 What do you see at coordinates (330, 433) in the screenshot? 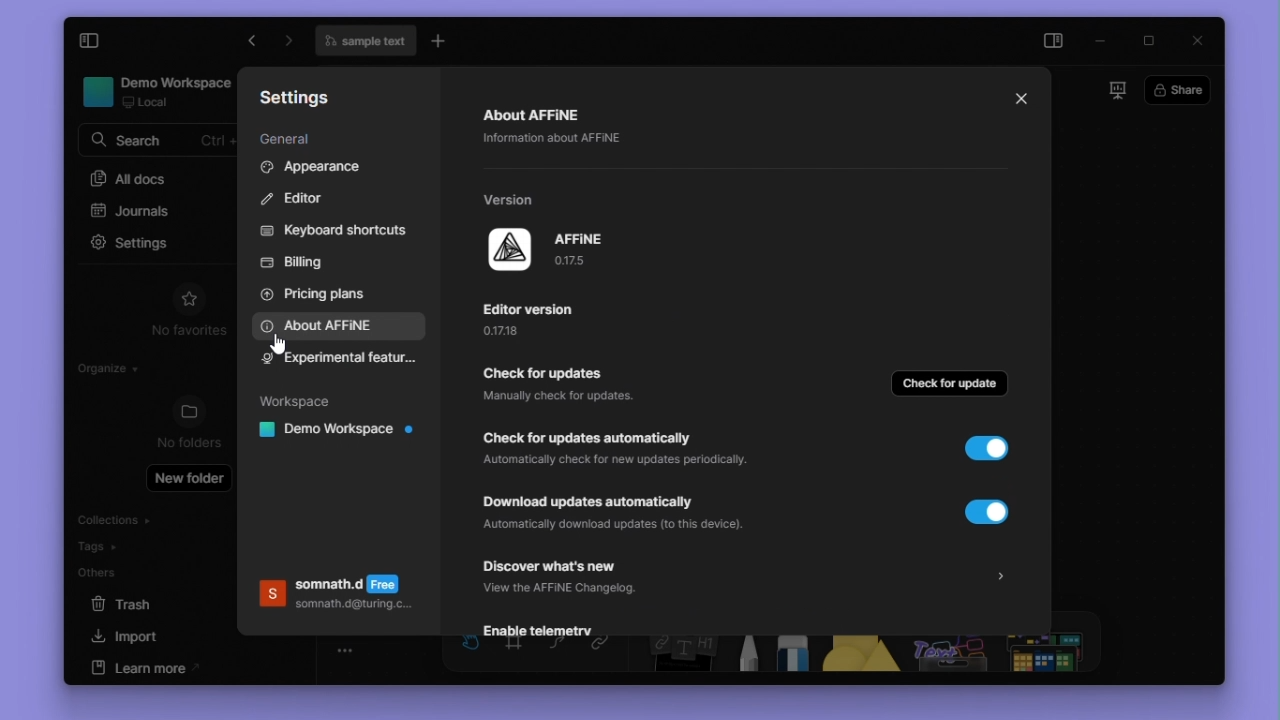
I see `Workspace name` at bounding box center [330, 433].